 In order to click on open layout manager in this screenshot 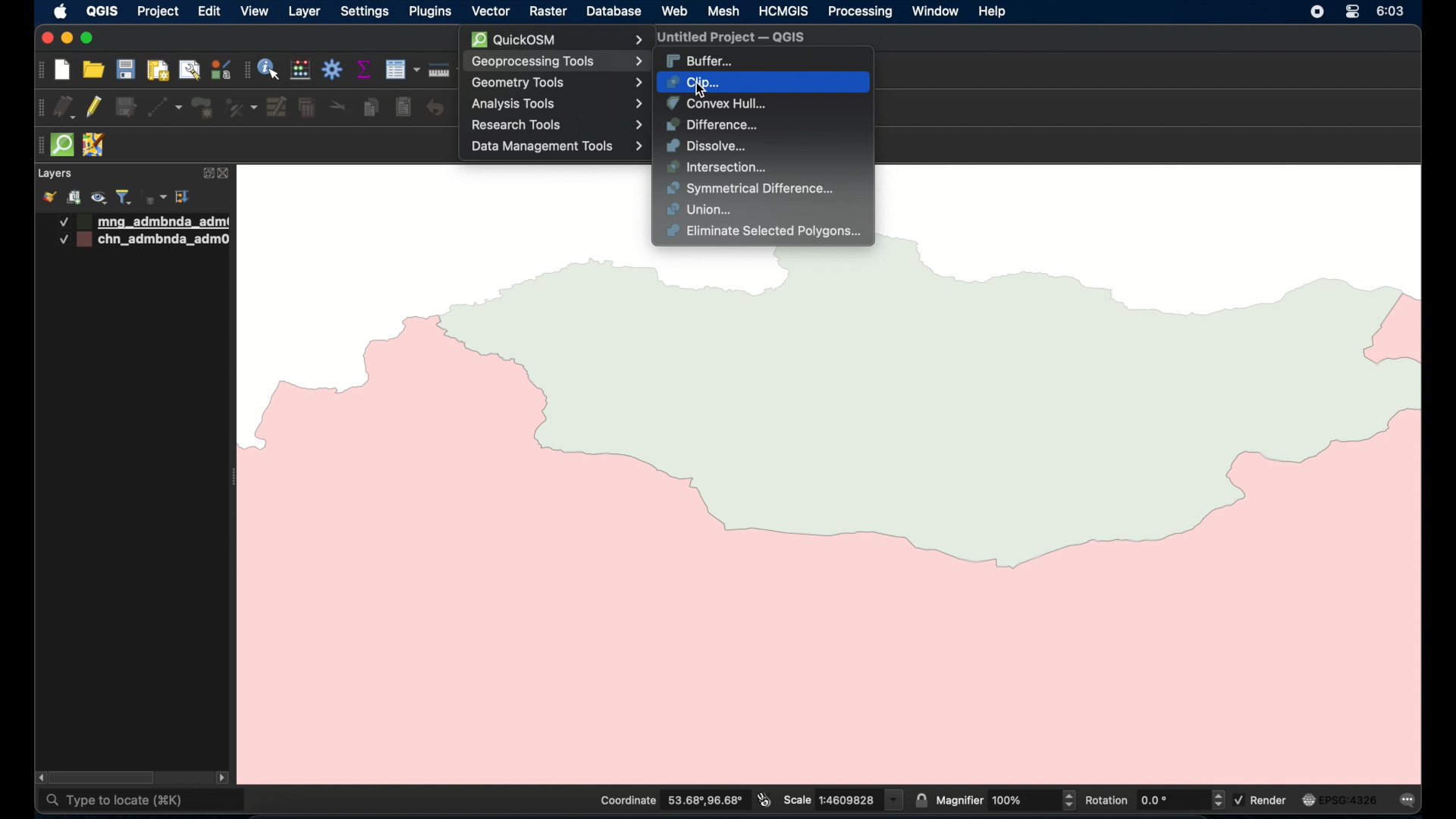, I will do `click(189, 71)`.